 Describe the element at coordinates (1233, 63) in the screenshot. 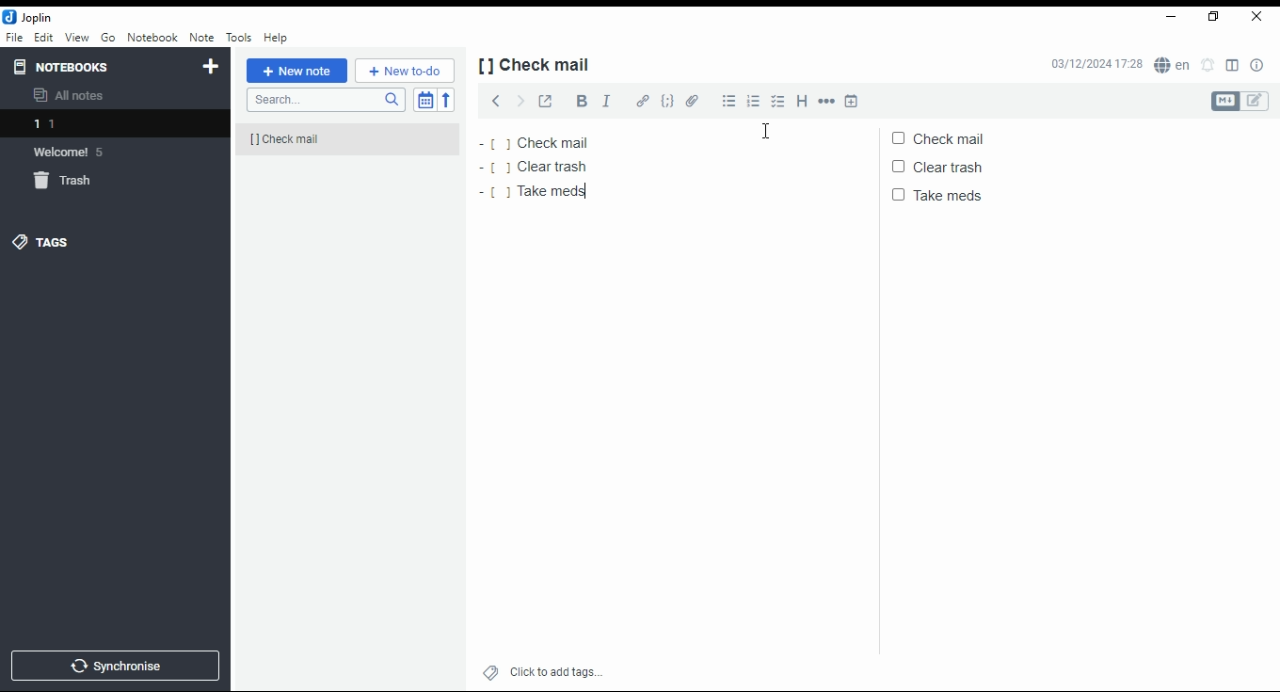

I see `toggle editor layout` at that location.